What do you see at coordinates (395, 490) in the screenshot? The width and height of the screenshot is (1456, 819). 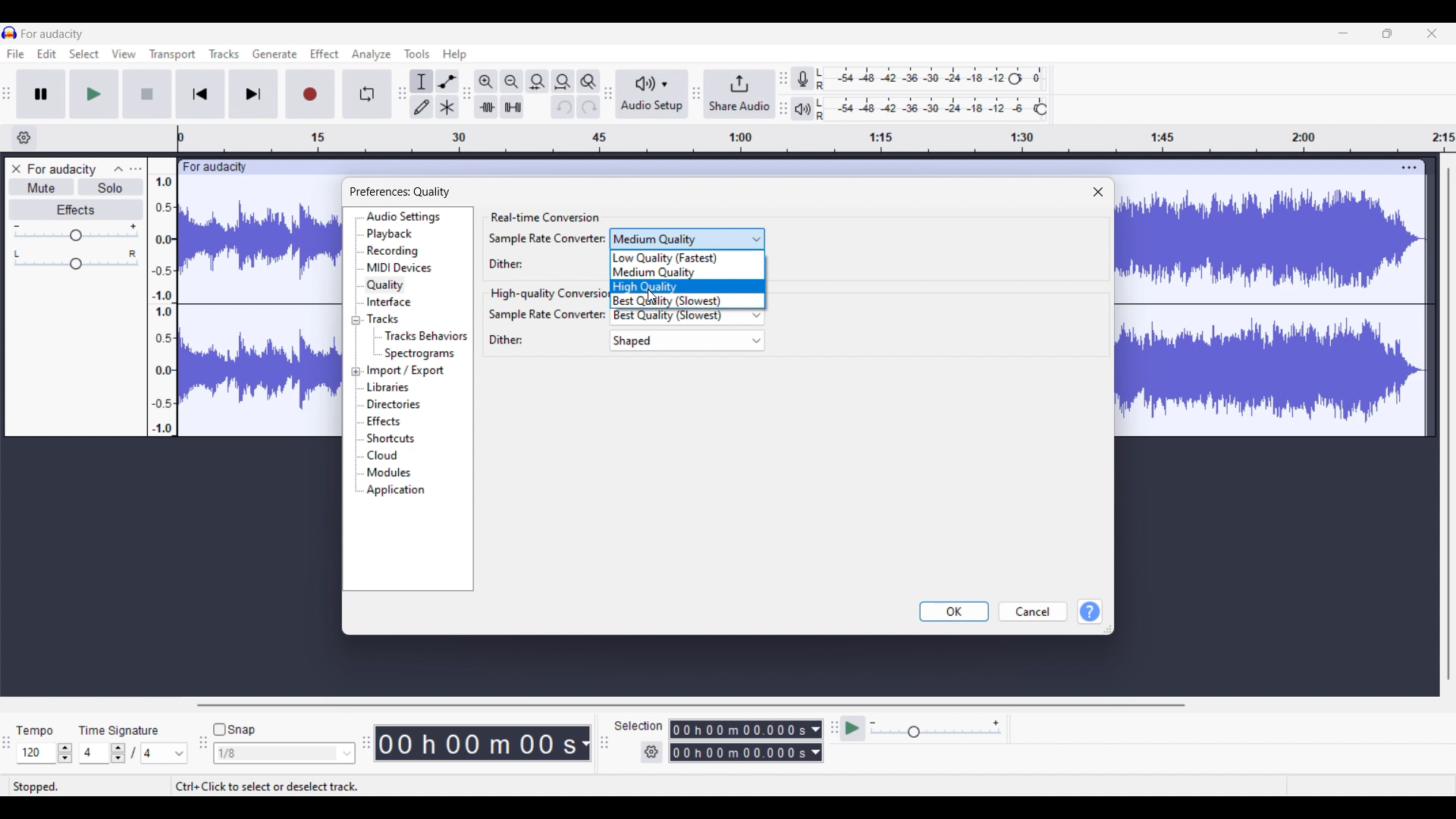 I see `Application` at bounding box center [395, 490].